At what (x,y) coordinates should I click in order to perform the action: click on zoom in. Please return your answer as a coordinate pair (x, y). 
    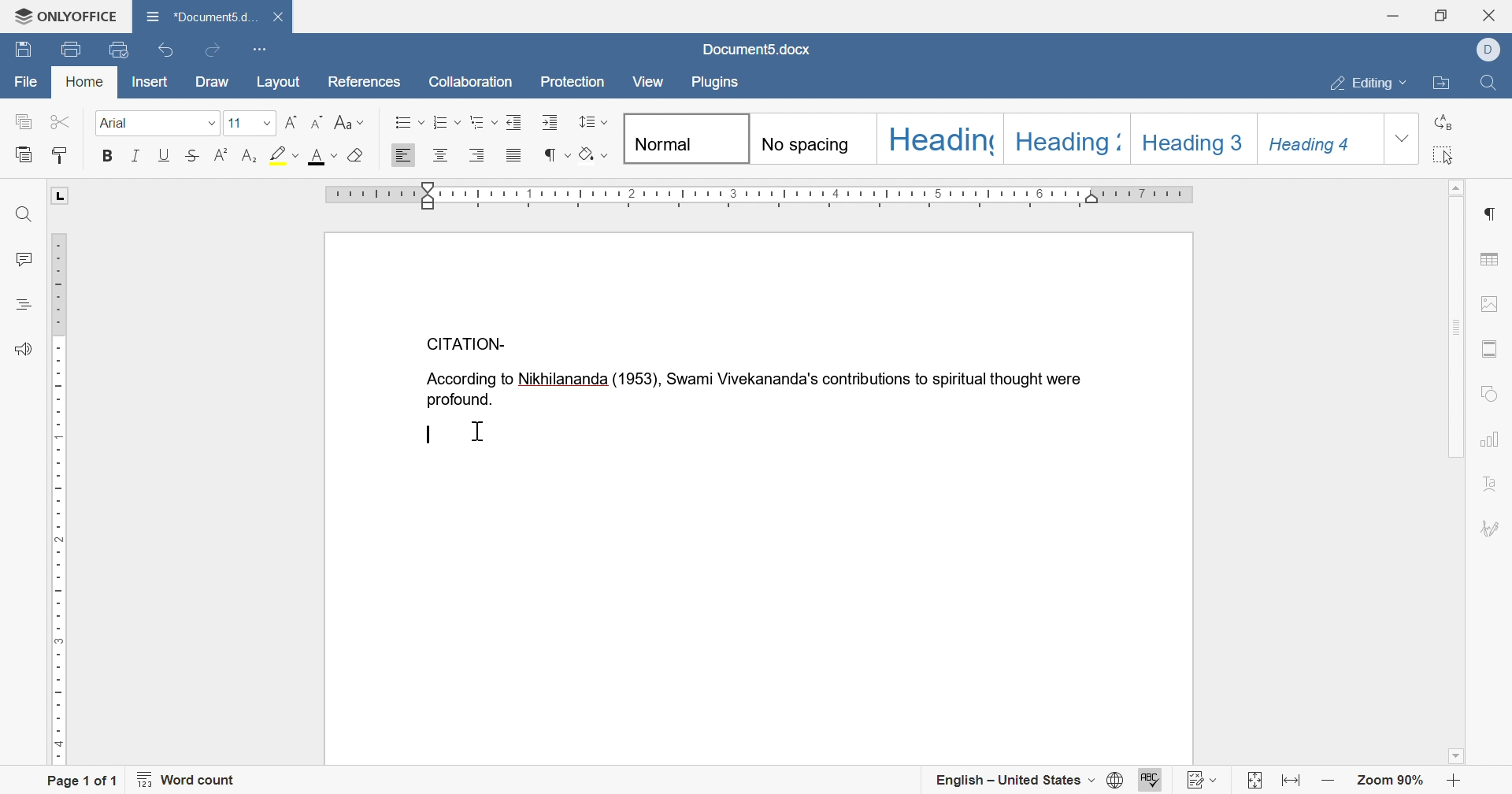
    Looking at the image, I should click on (1456, 781).